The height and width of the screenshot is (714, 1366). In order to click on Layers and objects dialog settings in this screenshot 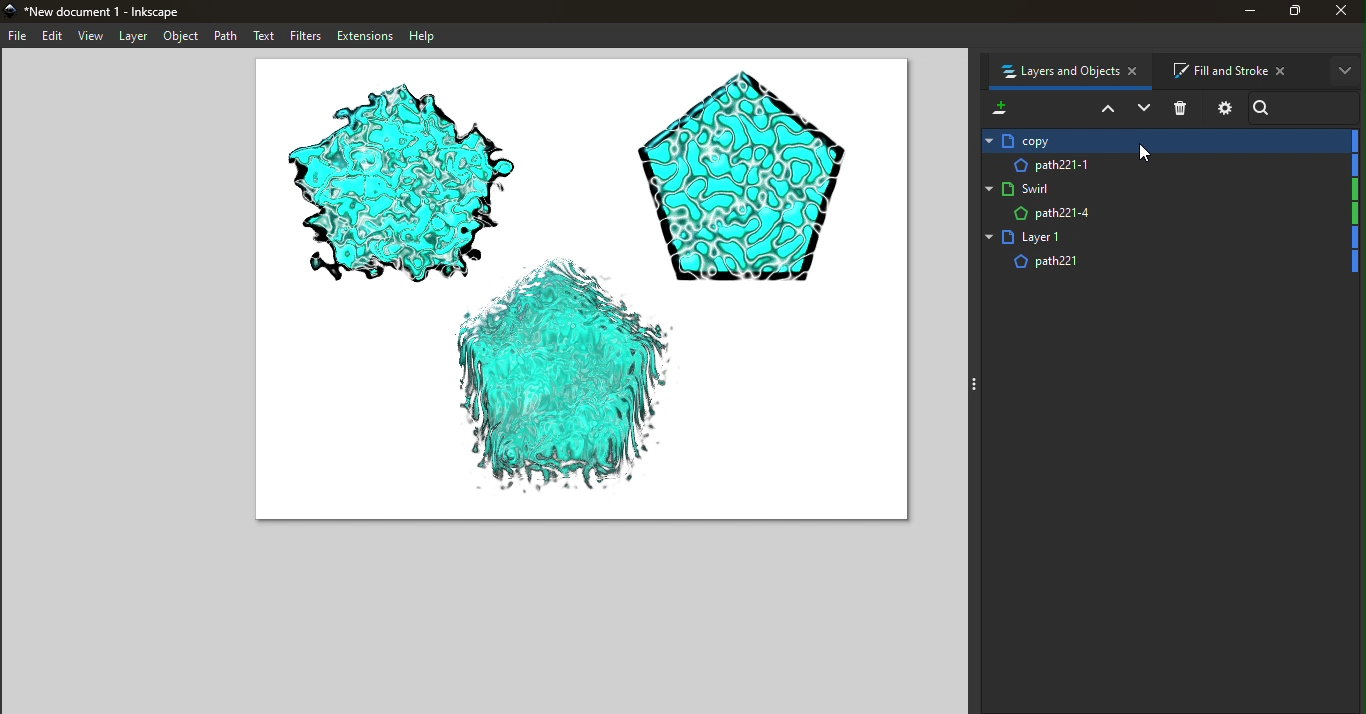, I will do `click(1222, 109)`.